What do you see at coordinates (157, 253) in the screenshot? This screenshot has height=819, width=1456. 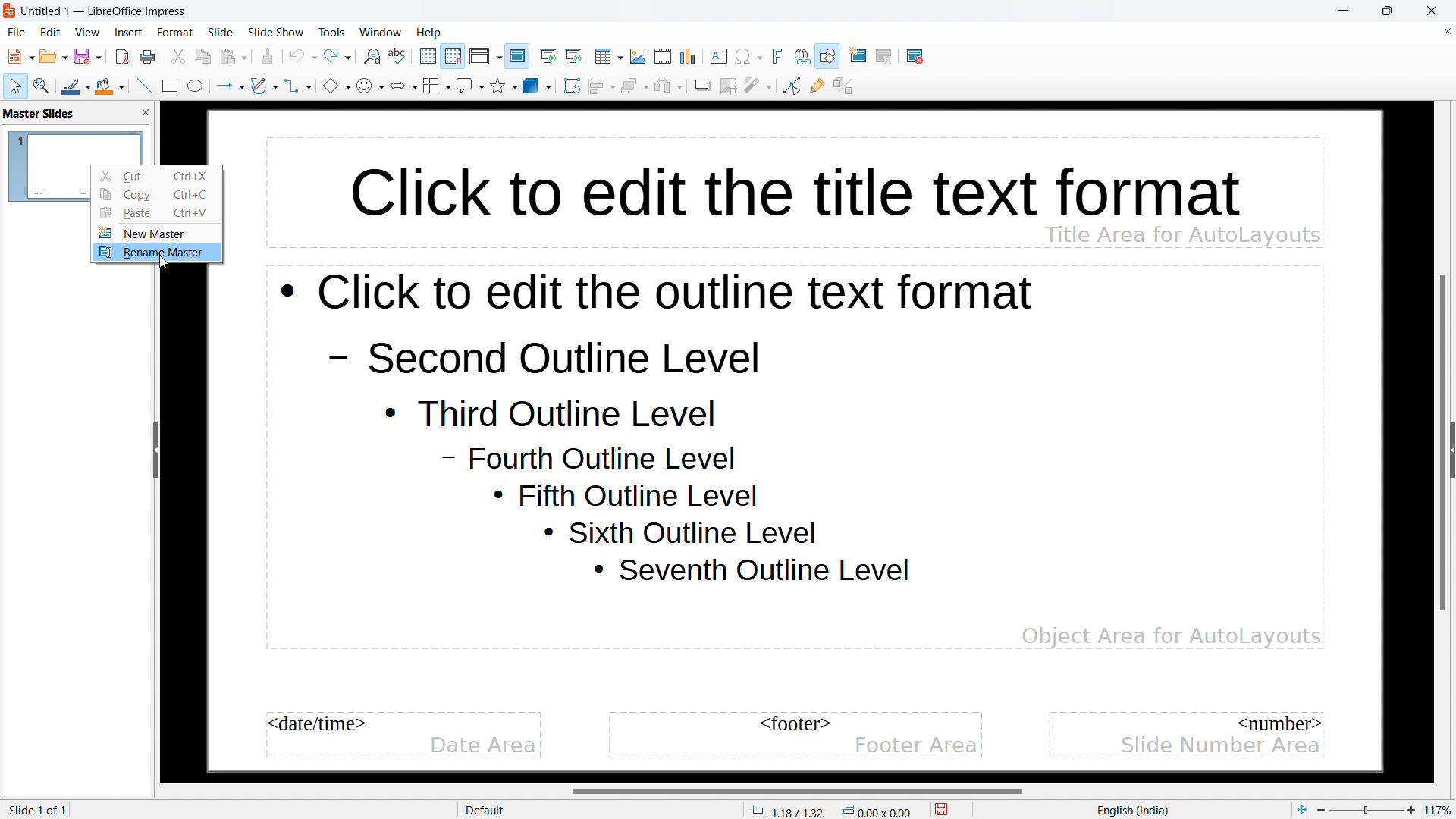 I see `rename master` at bounding box center [157, 253].